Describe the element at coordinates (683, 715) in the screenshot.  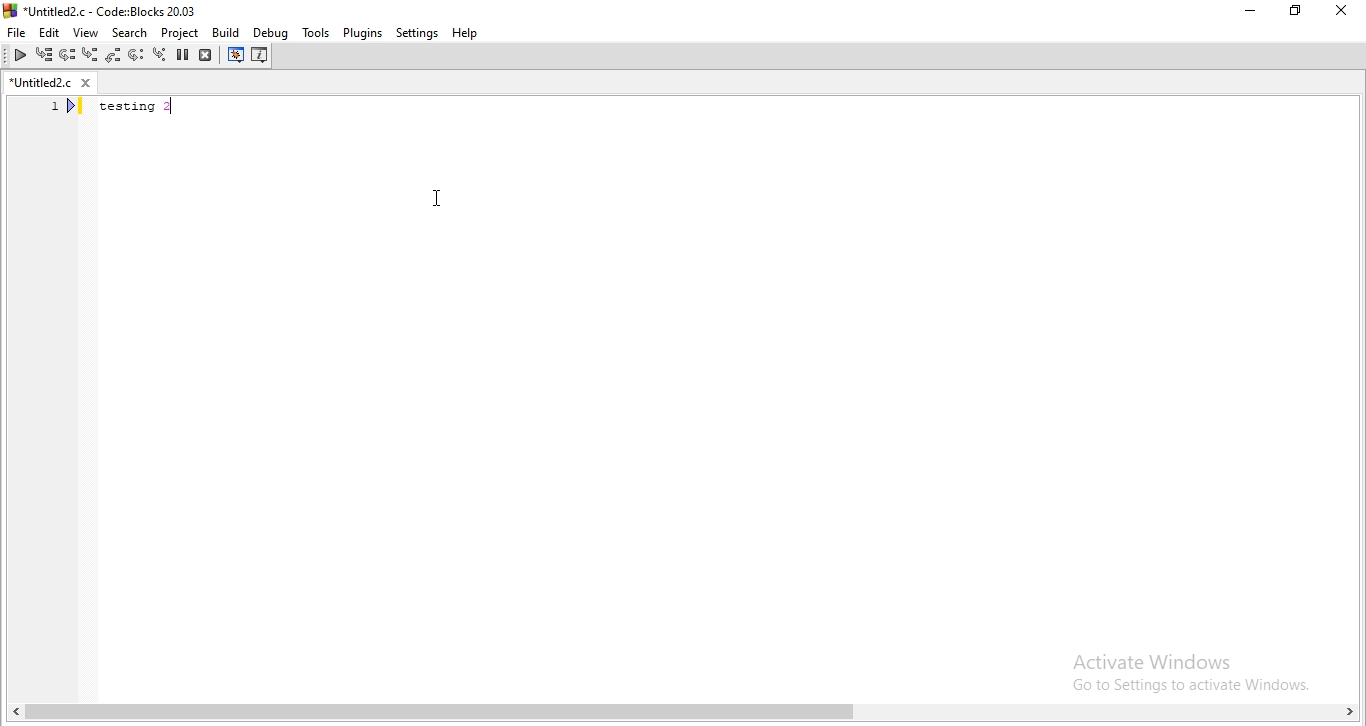
I see `scroll bar` at that location.